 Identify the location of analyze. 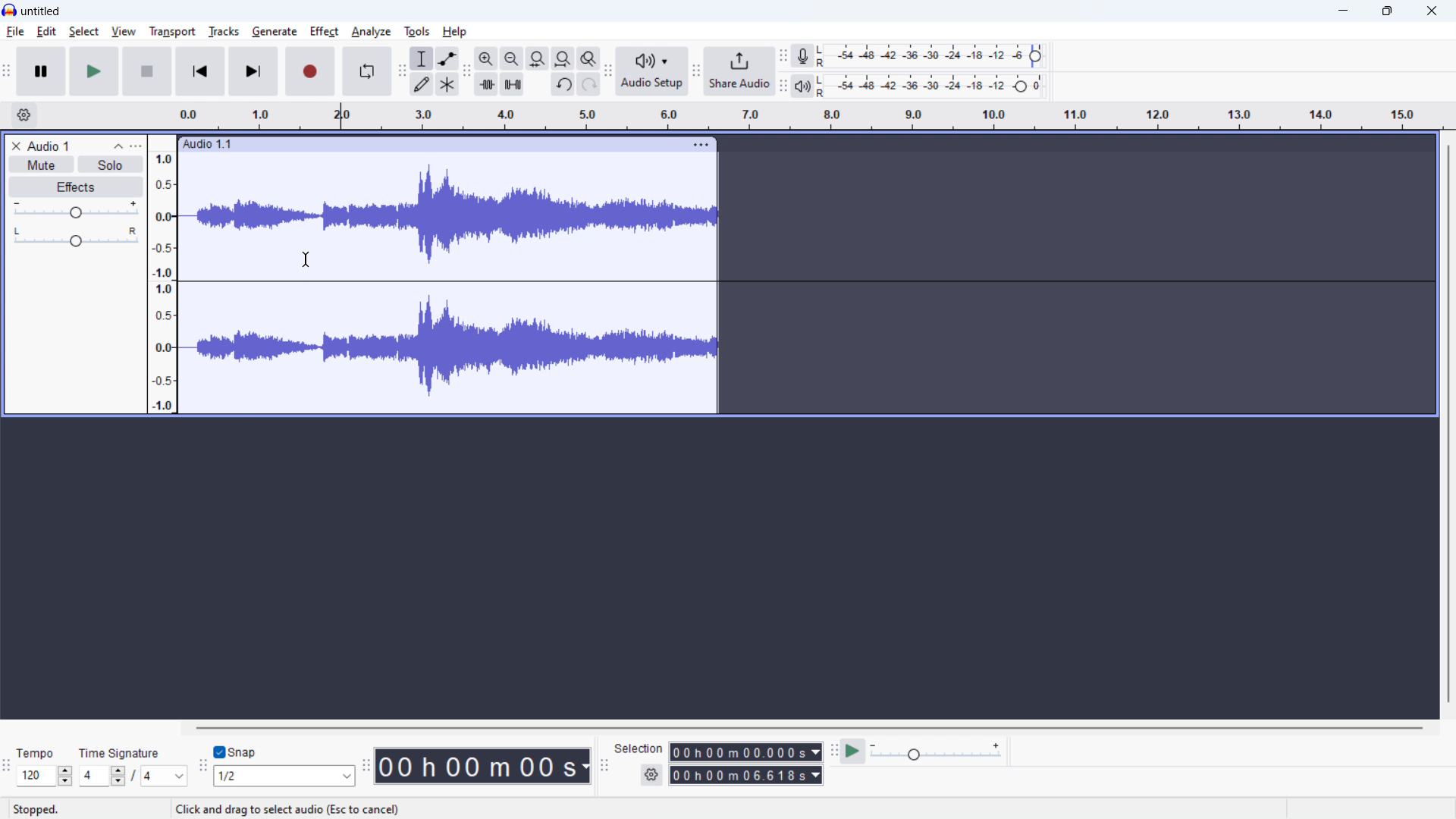
(371, 31).